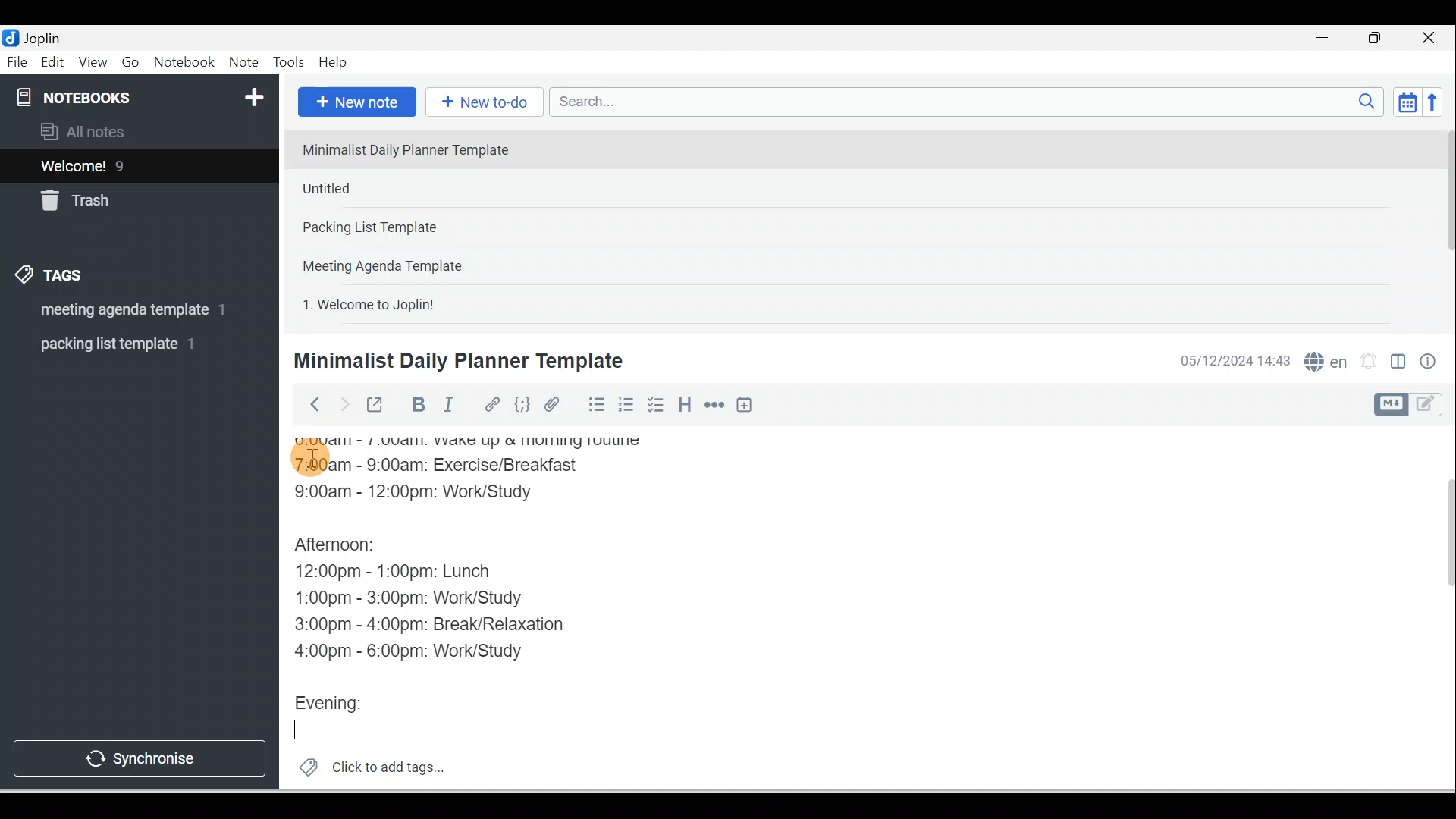 The width and height of the screenshot is (1456, 819). What do you see at coordinates (1429, 363) in the screenshot?
I see `Note properties` at bounding box center [1429, 363].